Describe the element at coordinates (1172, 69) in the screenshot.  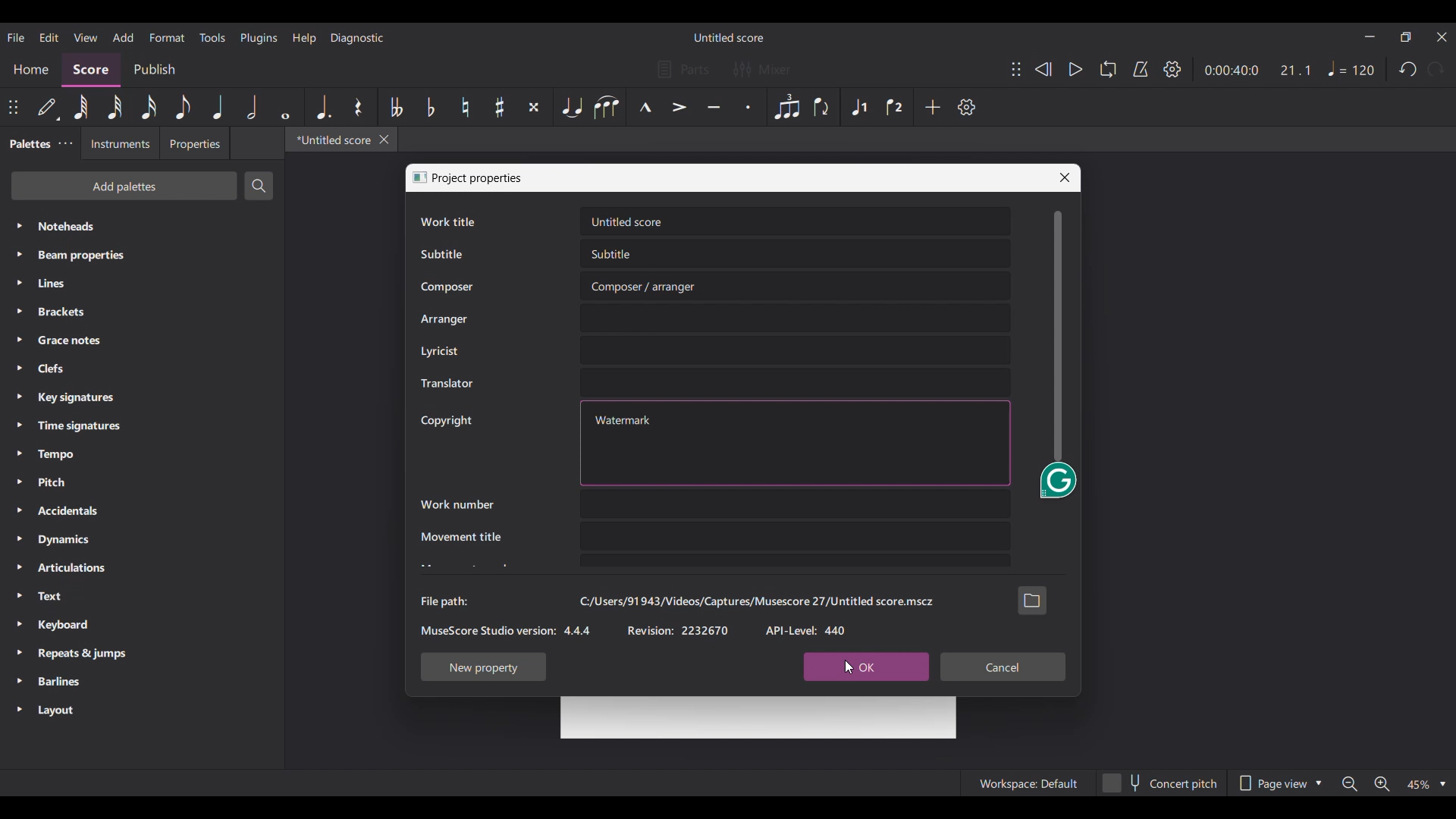
I see `Settings` at that location.